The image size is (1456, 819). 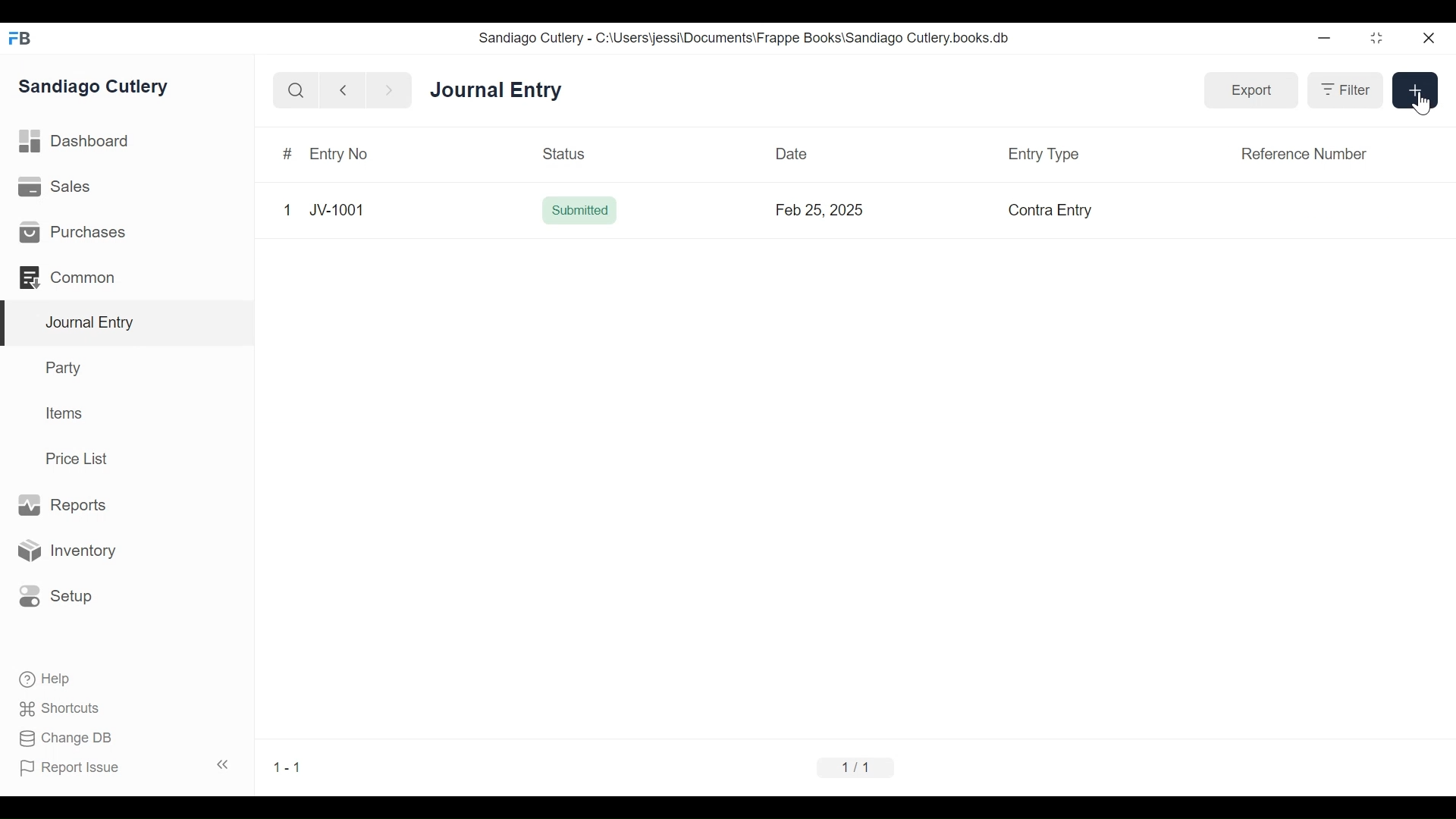 What do you see at coordinates (55, 708) in the screenshot?
I see `Shortcuts` at bounding box center [55, 708].